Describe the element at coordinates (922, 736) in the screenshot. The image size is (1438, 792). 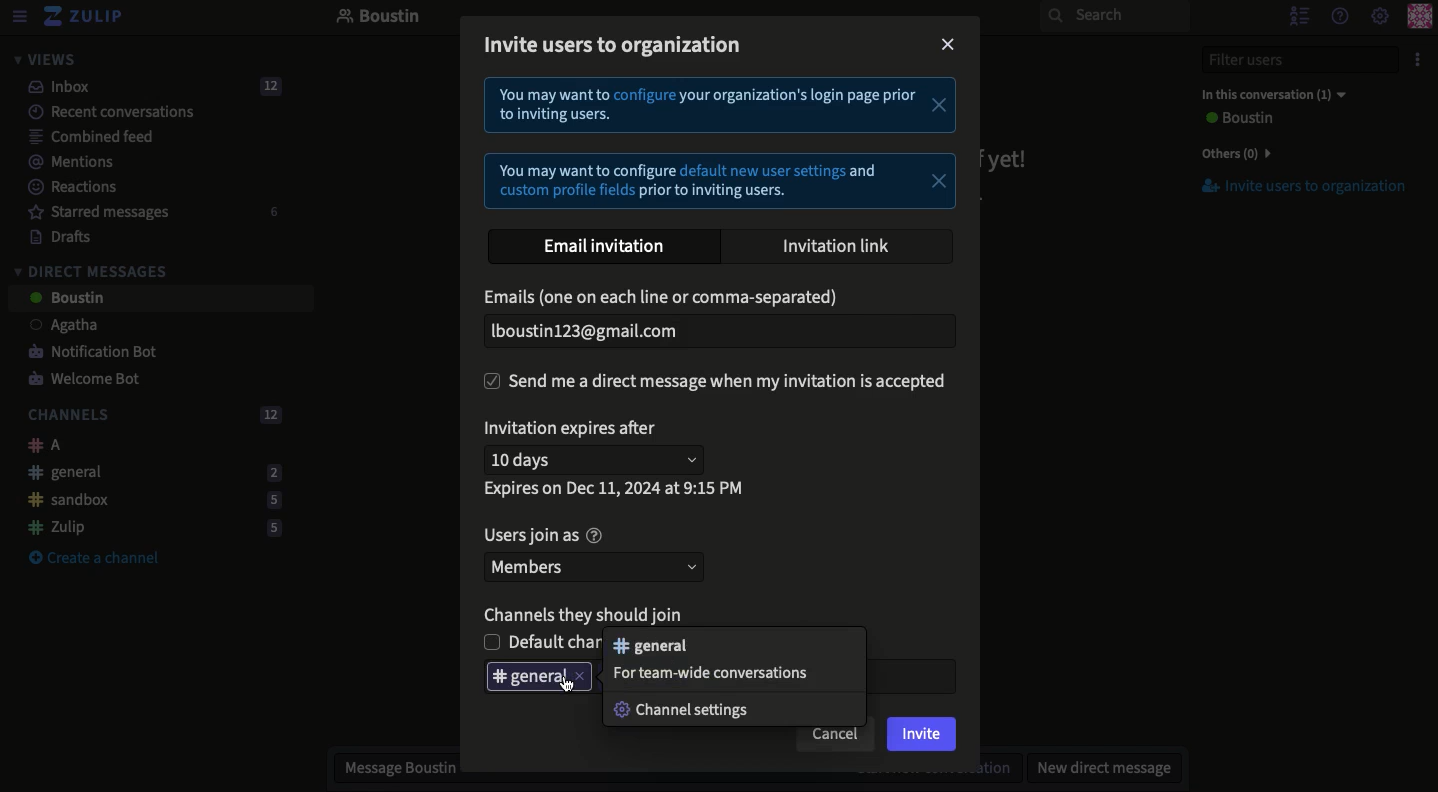
I see `Invite` at that location.